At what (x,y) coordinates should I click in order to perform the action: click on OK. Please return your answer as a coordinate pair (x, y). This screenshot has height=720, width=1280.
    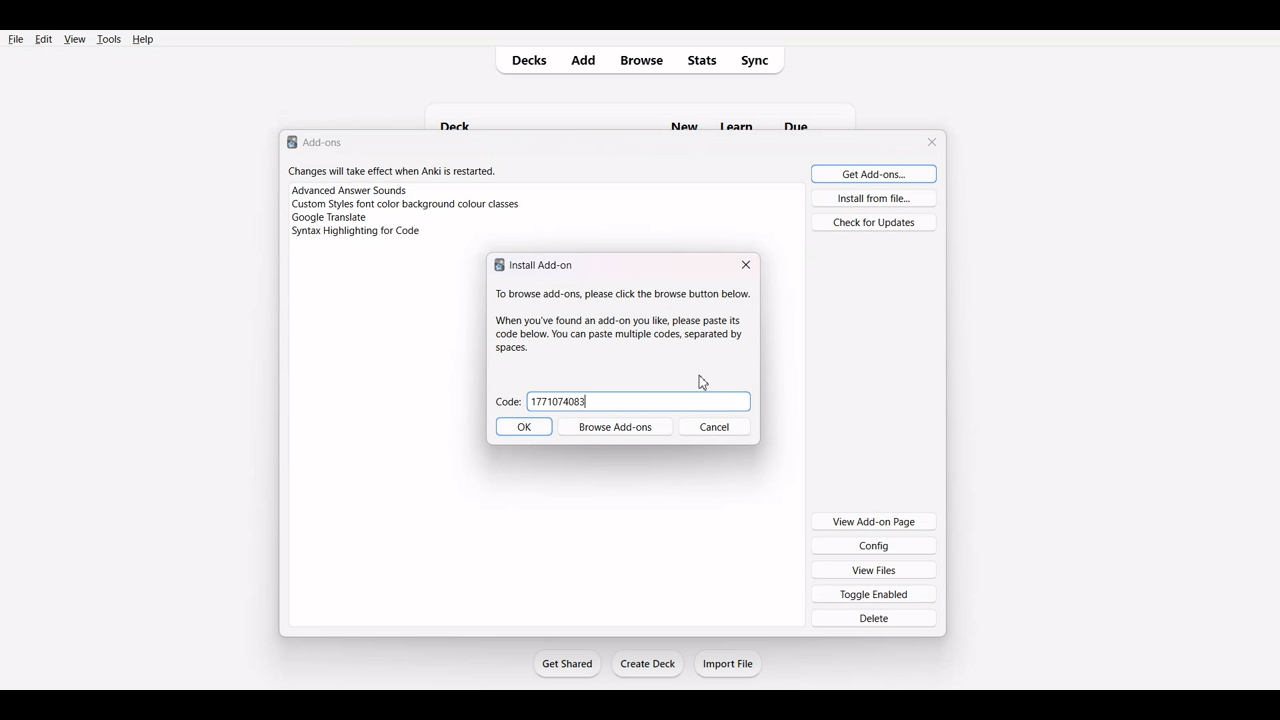
    Looking at the image, I should click on (523, 428).